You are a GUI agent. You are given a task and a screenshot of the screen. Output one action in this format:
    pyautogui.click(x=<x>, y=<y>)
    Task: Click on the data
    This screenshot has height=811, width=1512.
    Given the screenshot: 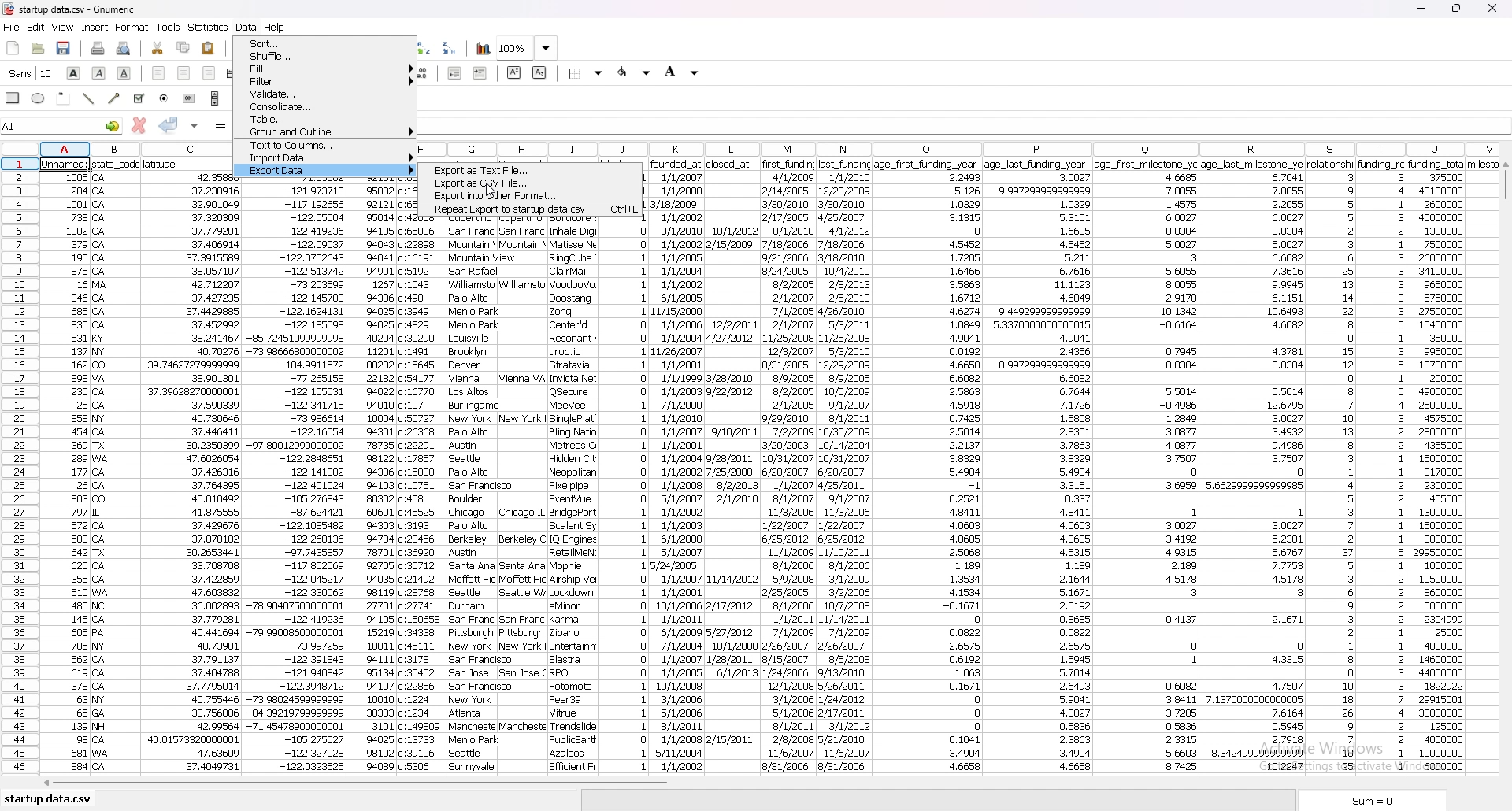 What is the action you would take?
    pyautogui.click(x=626, y=495)
    